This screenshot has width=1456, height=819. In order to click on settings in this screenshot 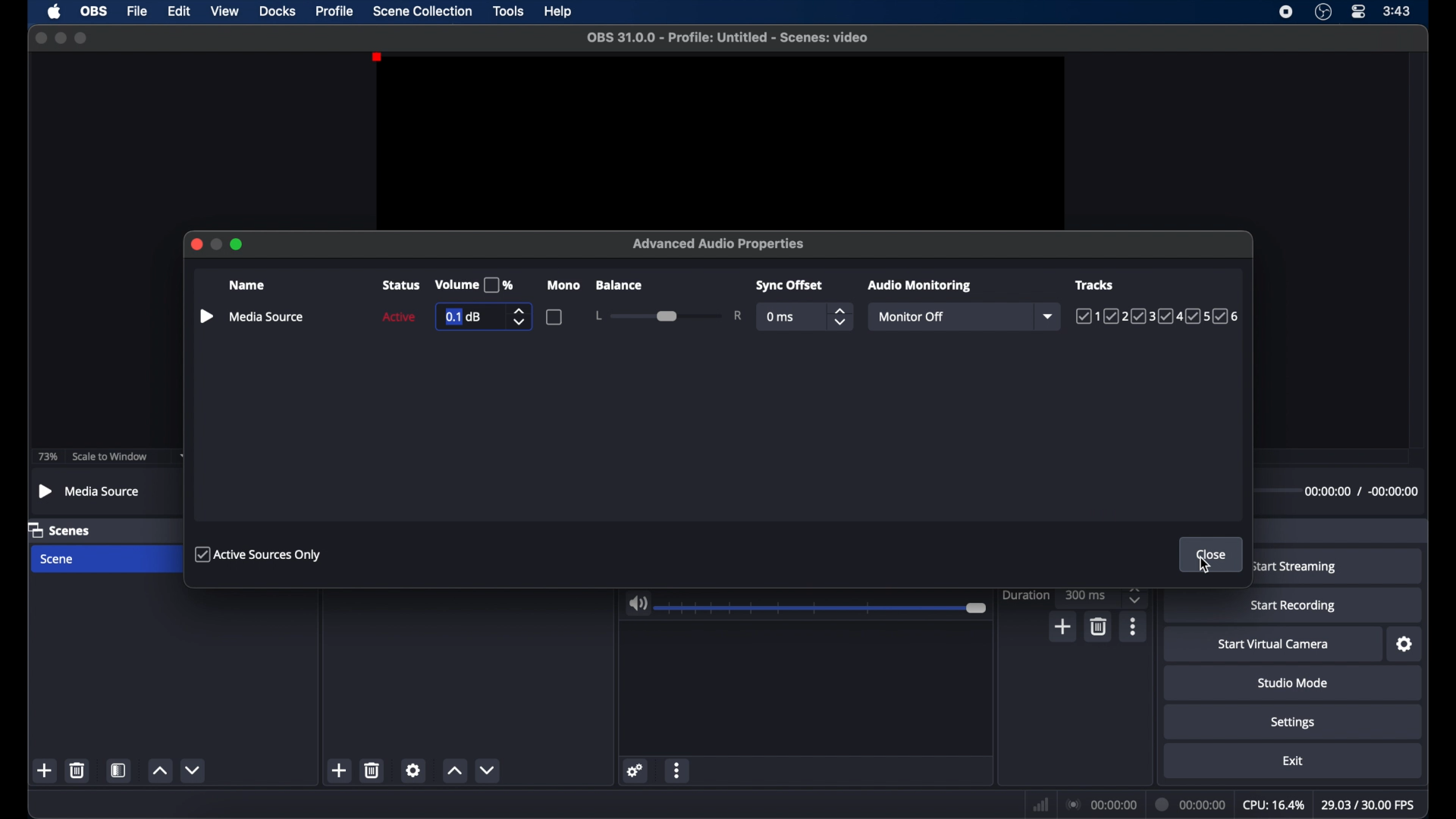, I will do `click(1404, 644)`.